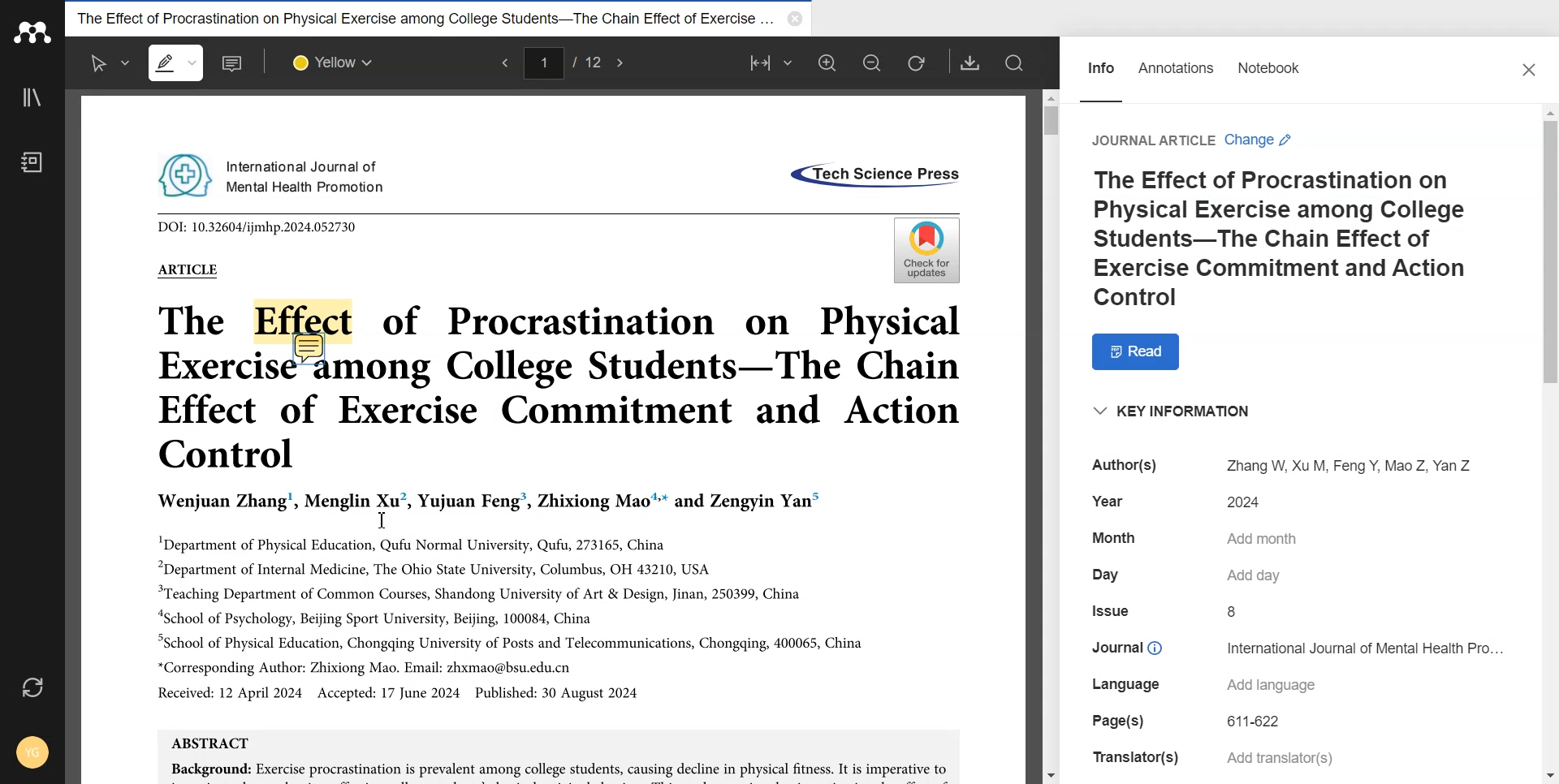 The height and width of the screenshot is (784, 1559). What do you see at coordinates (383, 520) in the screenshot?
I see `Text Cursor` at bounding box center [383, 520].